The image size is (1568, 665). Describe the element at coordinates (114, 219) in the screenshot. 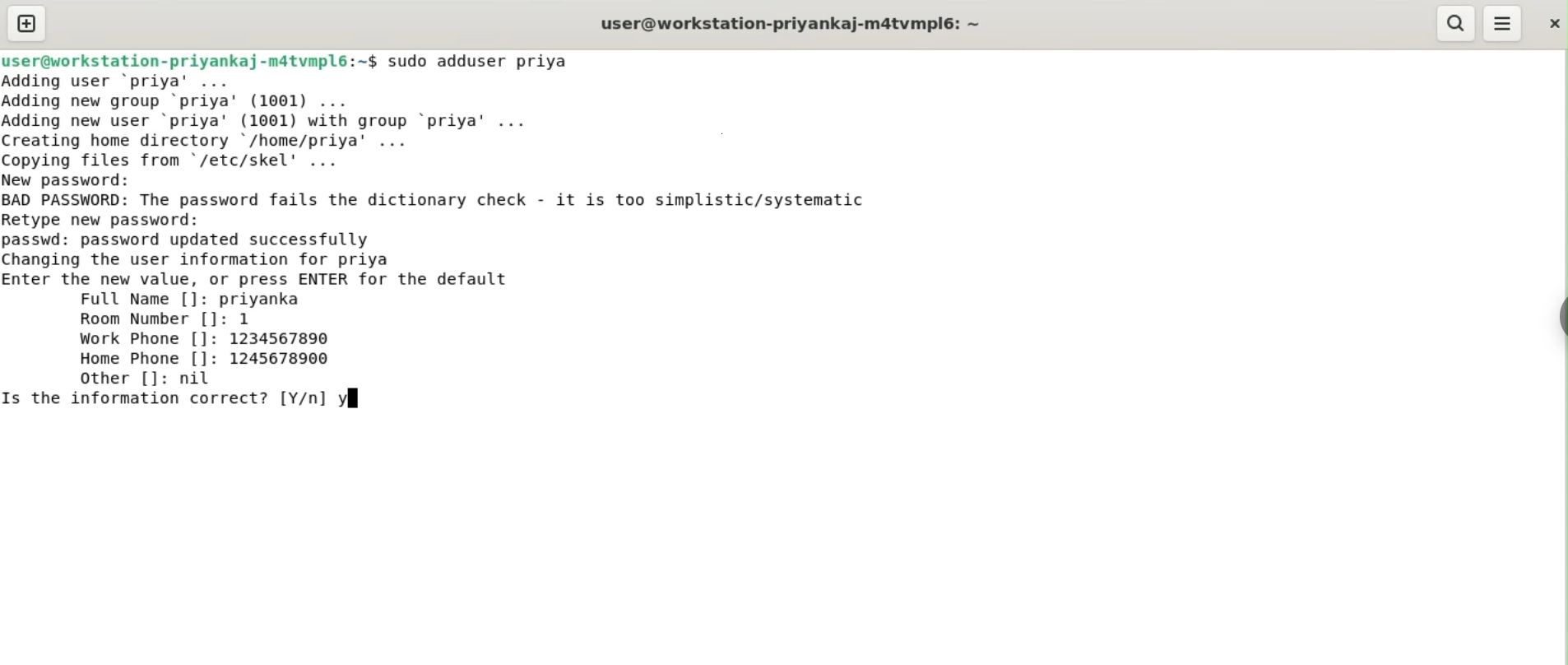

I see `retype new password:` at that location.